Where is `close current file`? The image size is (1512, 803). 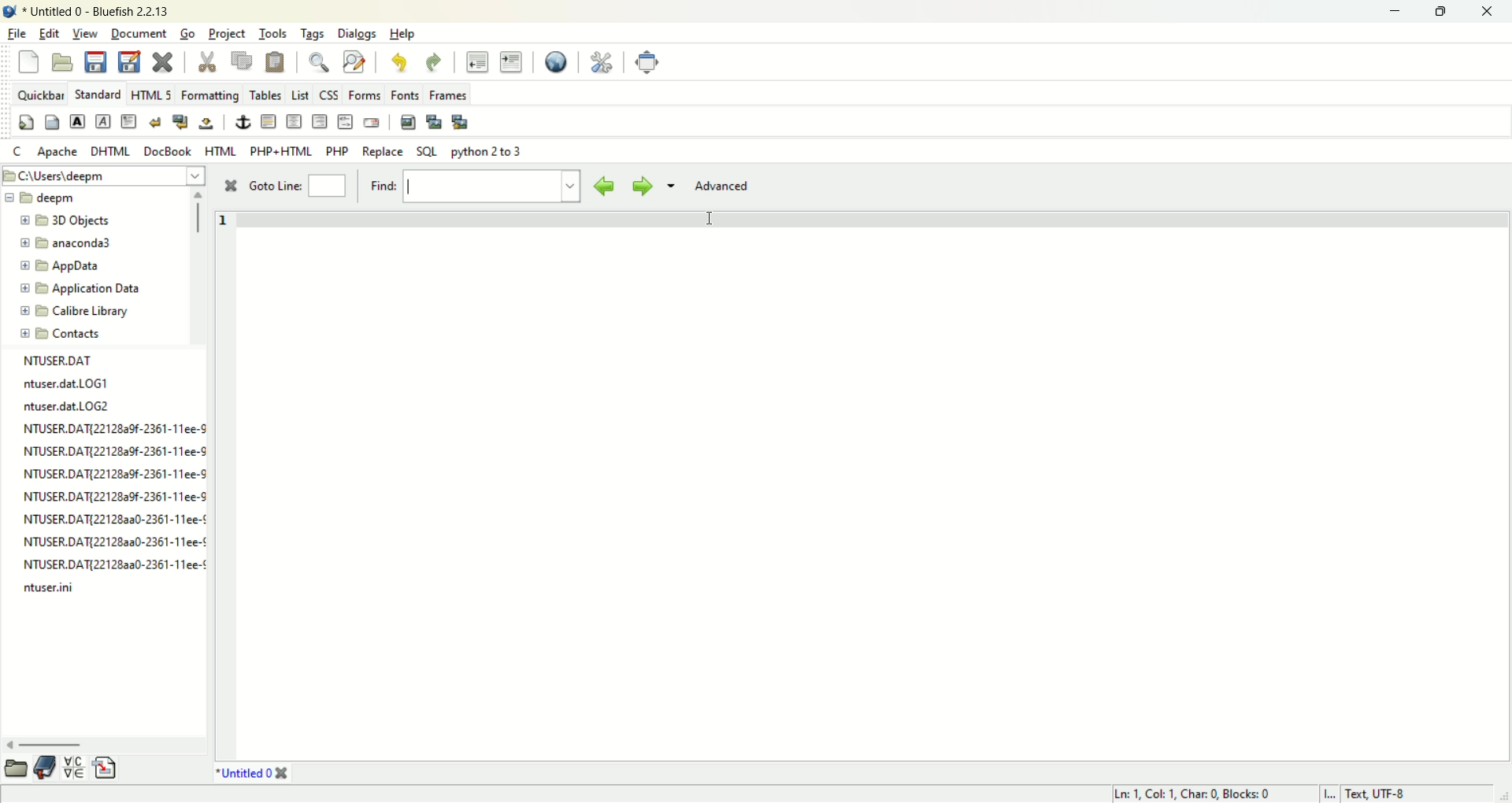 close current file is located at coordinates (163, 62).